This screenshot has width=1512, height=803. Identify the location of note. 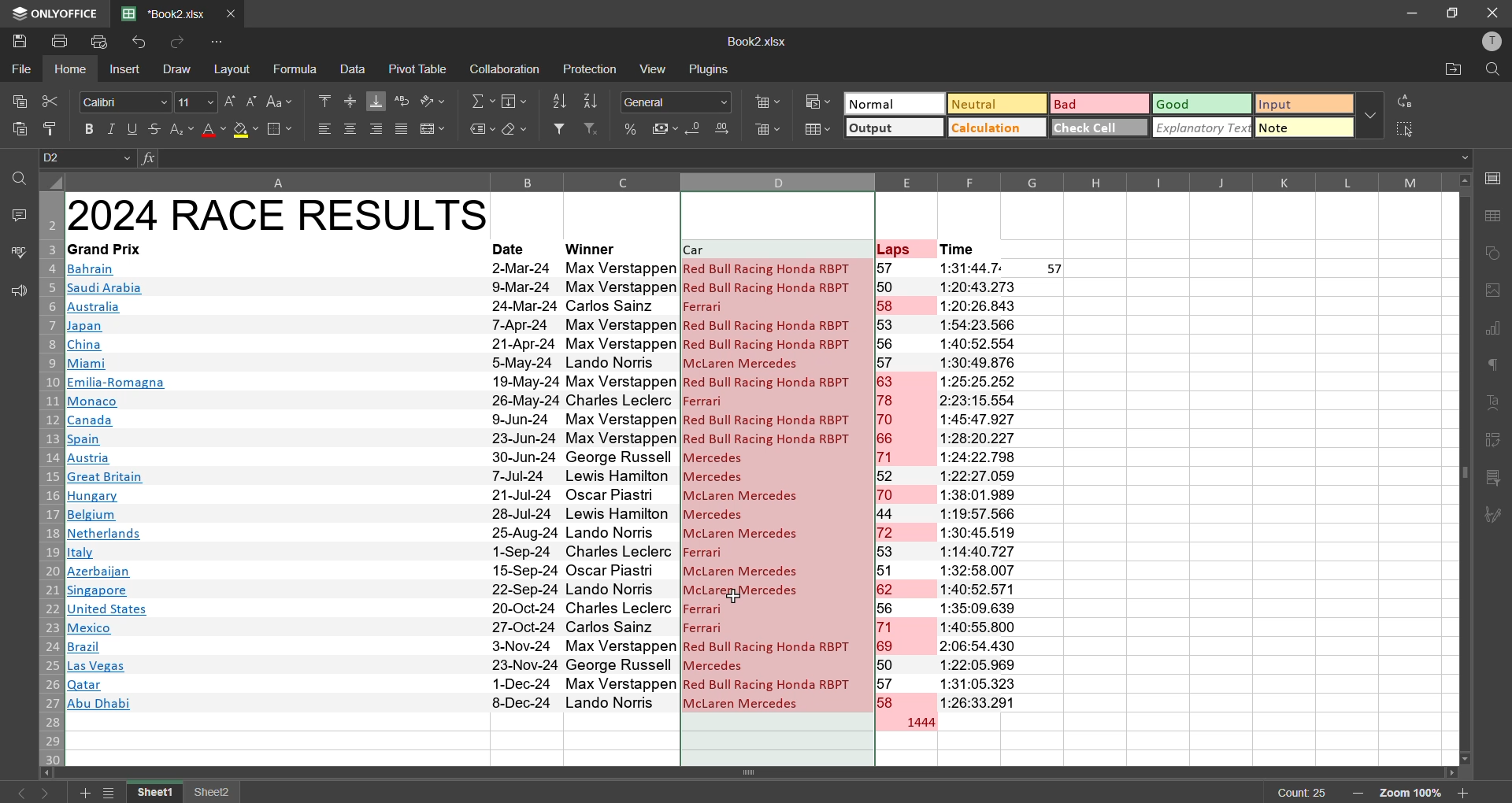
(1304, 129).